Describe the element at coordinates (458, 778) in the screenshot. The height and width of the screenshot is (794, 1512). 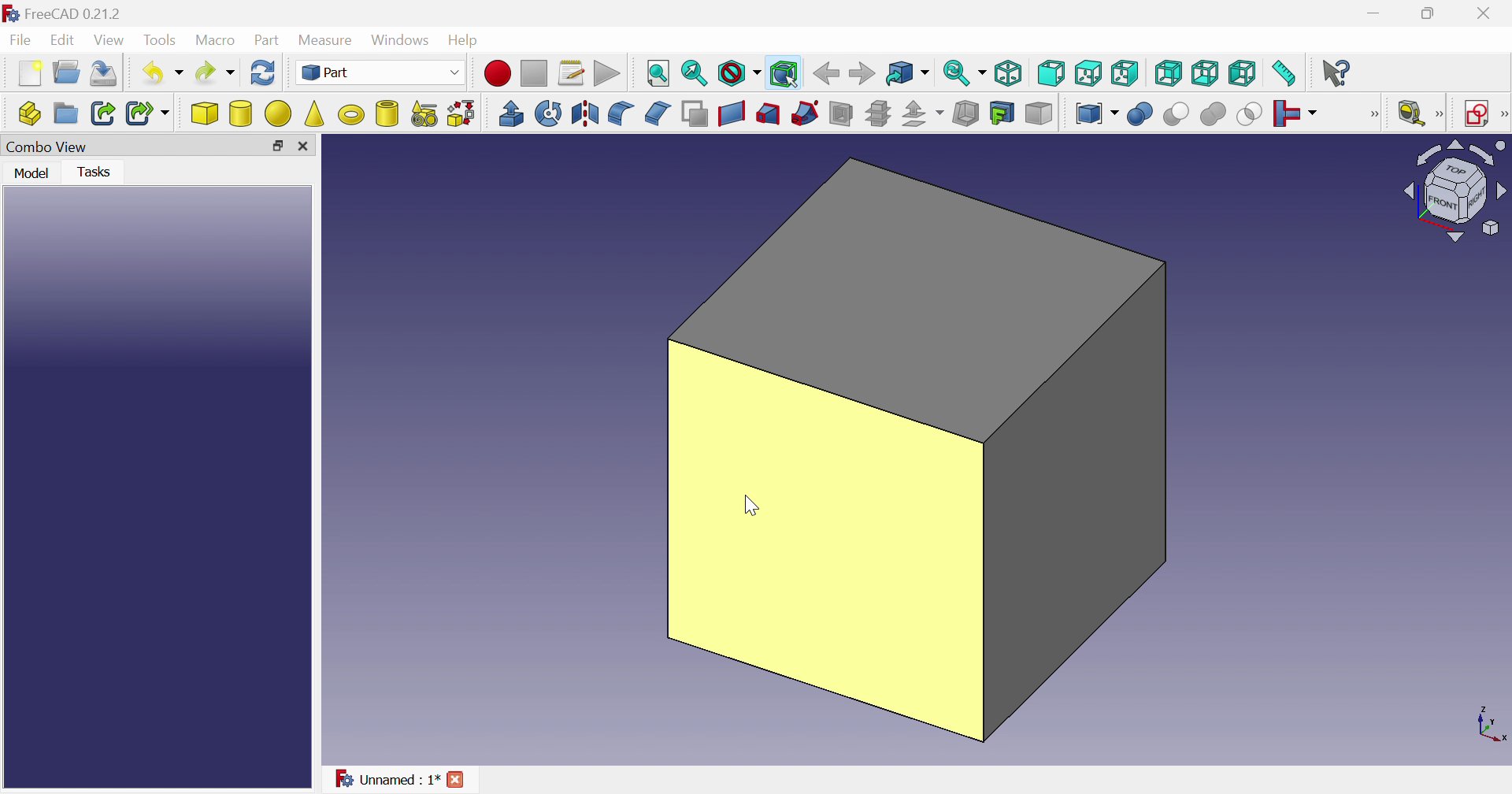
I see `Close` at that location.